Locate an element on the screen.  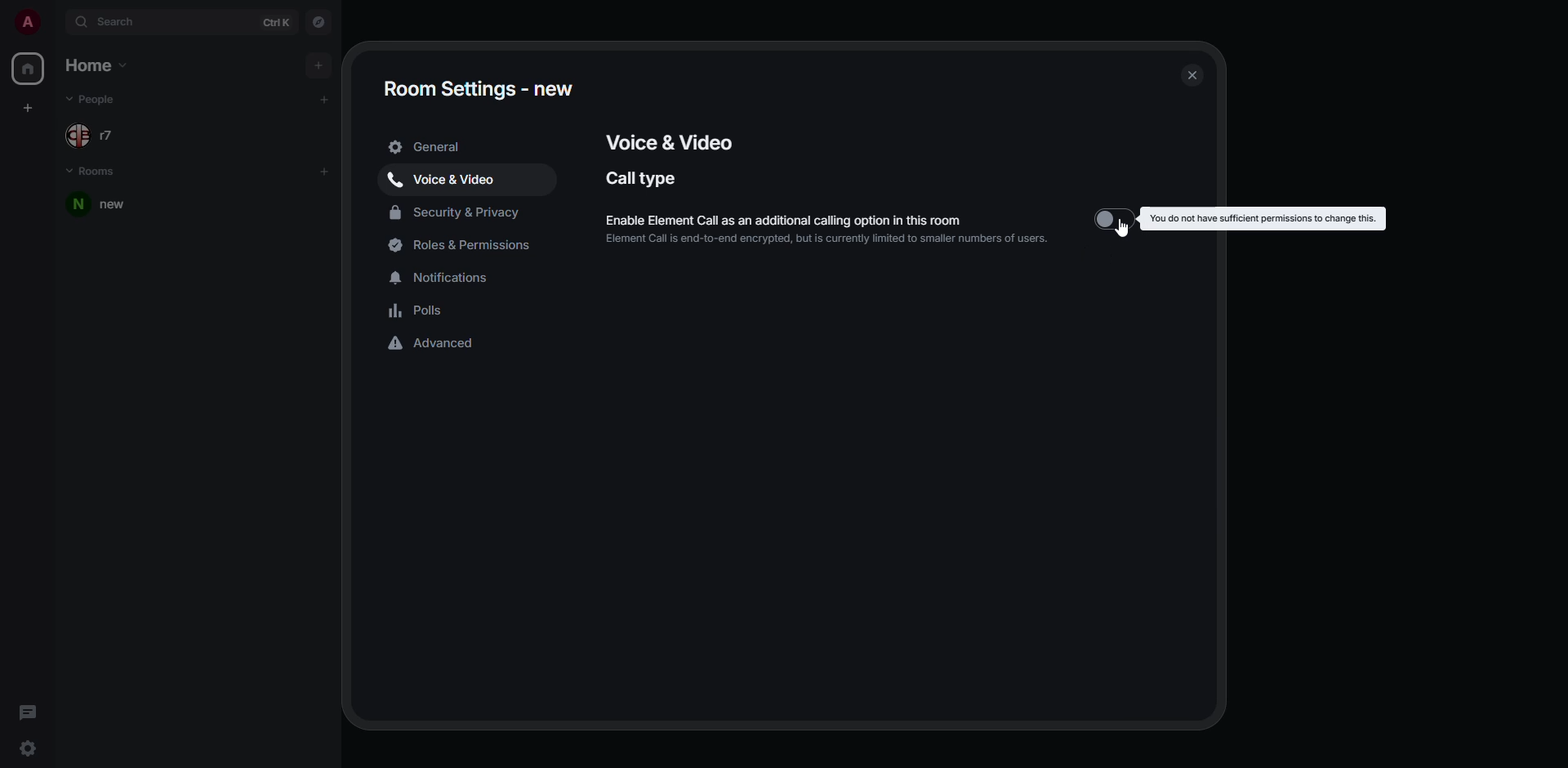
profile is located at coordinates (27, 23).